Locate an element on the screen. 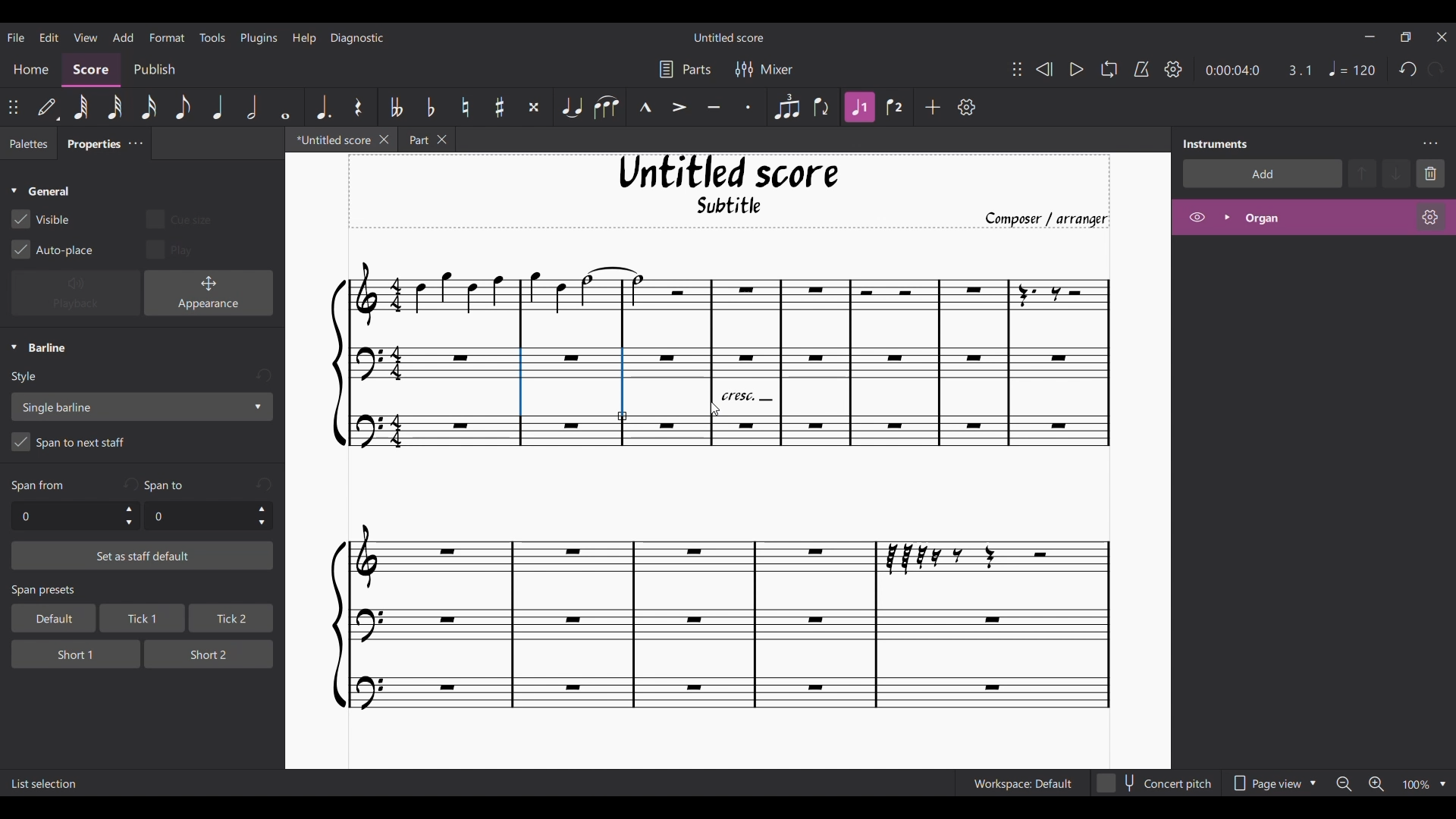 This screenshot has width=1456, height=819. Earlier tab is located at coordinates (426, 140).